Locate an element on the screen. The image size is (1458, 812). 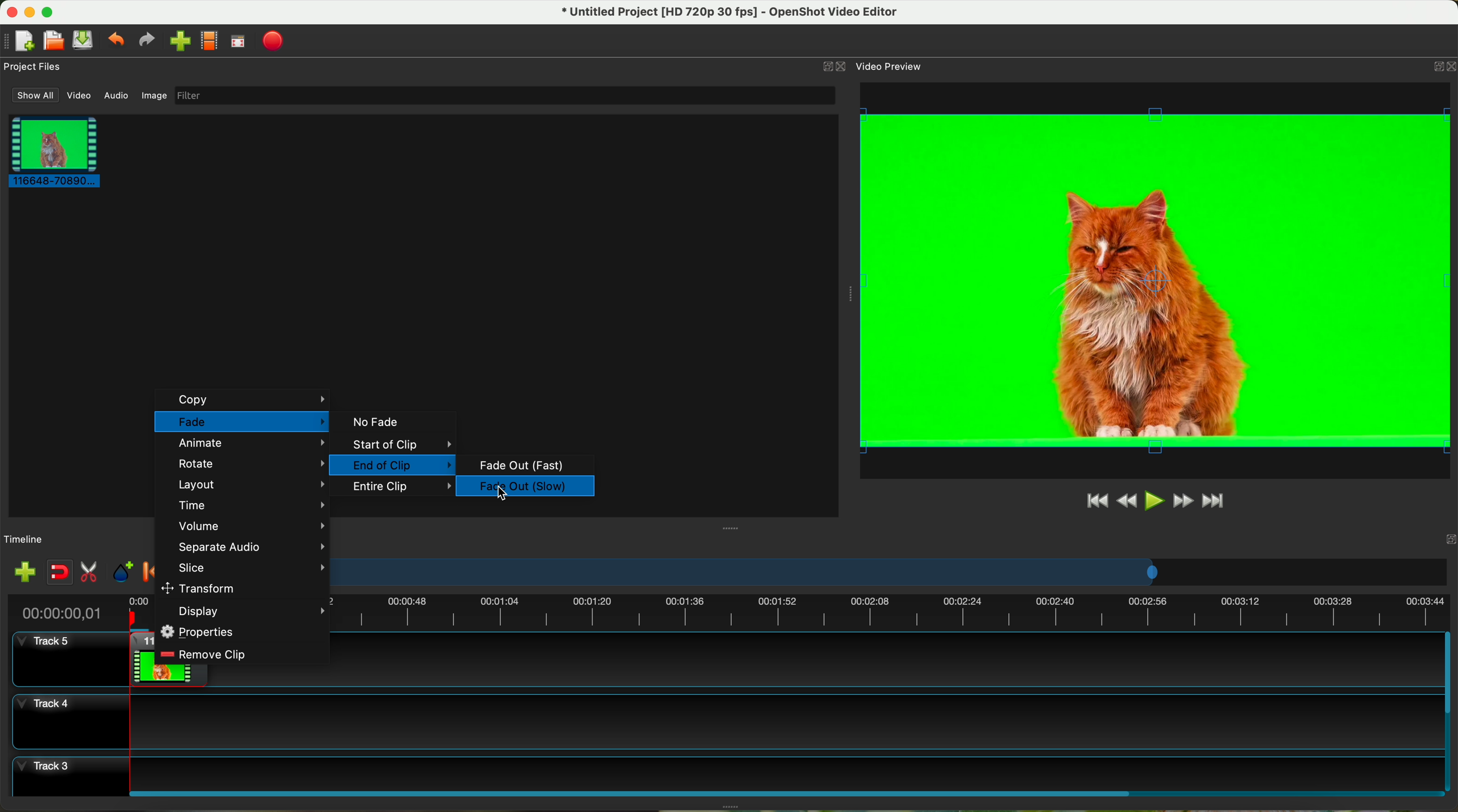
scroll bar is located at coordinates (1449, 711).